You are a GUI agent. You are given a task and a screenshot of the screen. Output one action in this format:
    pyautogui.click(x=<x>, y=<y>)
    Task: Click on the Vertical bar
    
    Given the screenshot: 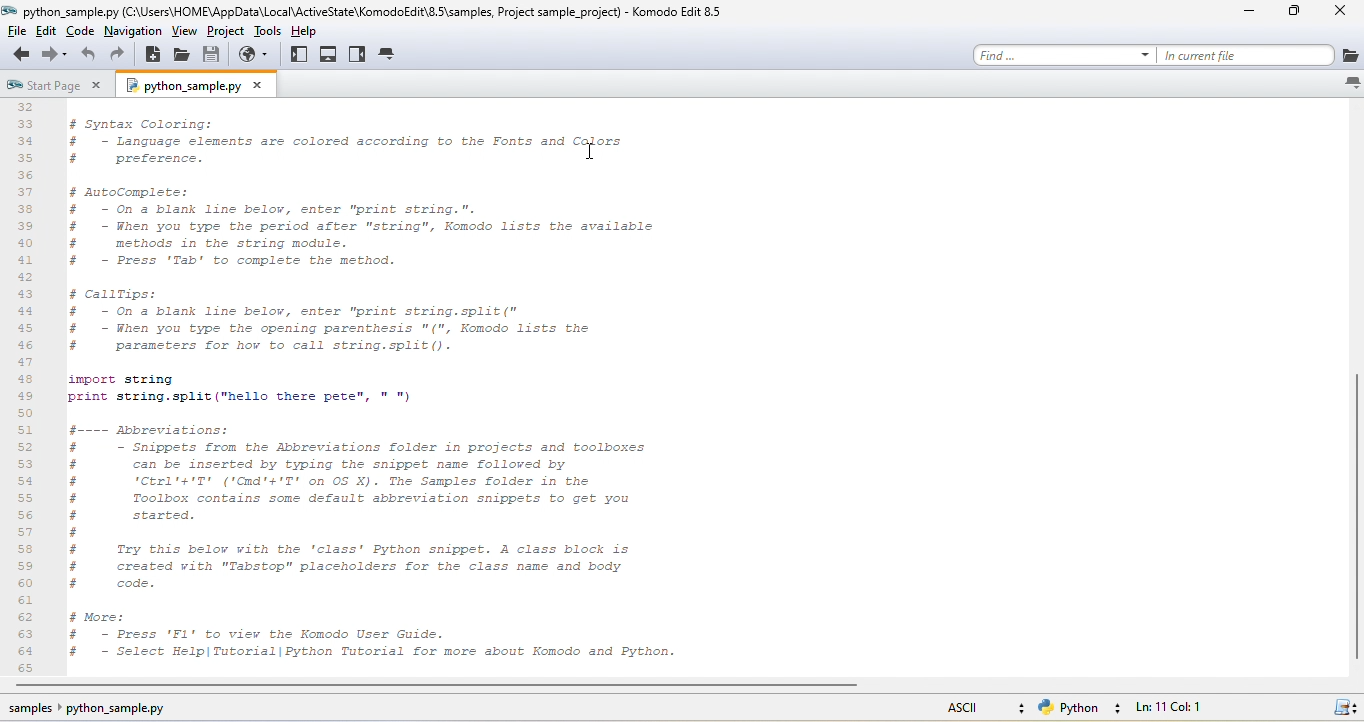 What is the action you would take?
    pyautogui.click(x=1355, y=524)
    